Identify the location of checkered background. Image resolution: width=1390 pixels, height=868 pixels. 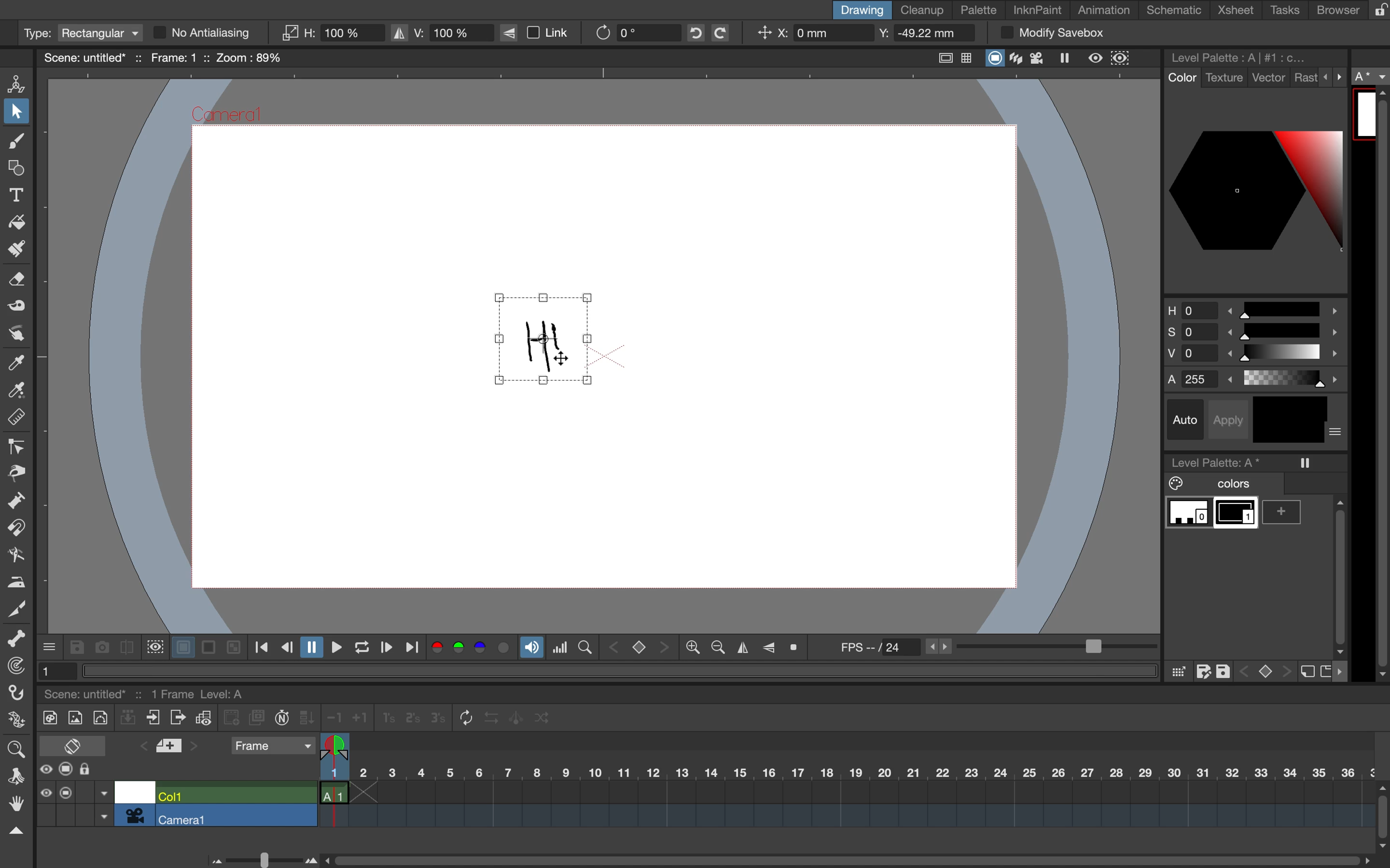
(232, 646).